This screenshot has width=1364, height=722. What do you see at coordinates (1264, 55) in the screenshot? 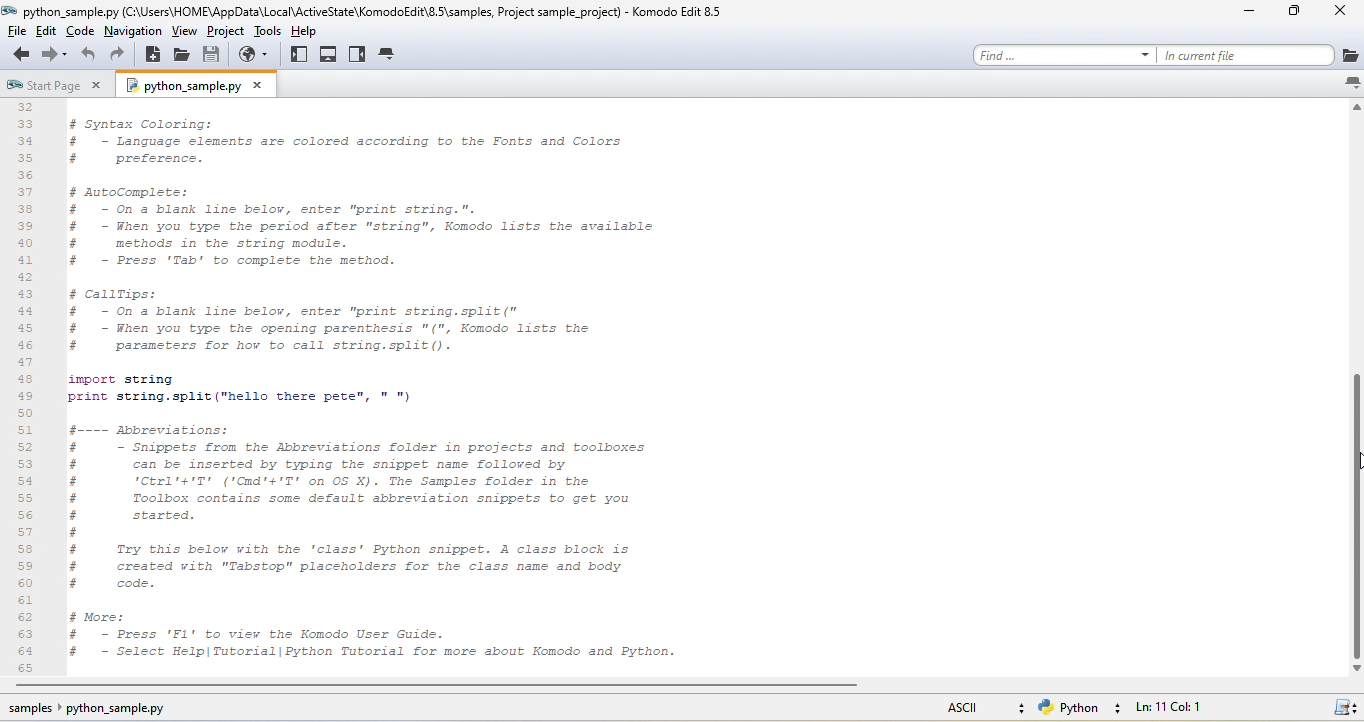
I see `in current file` at bounding box center [1264, 55].